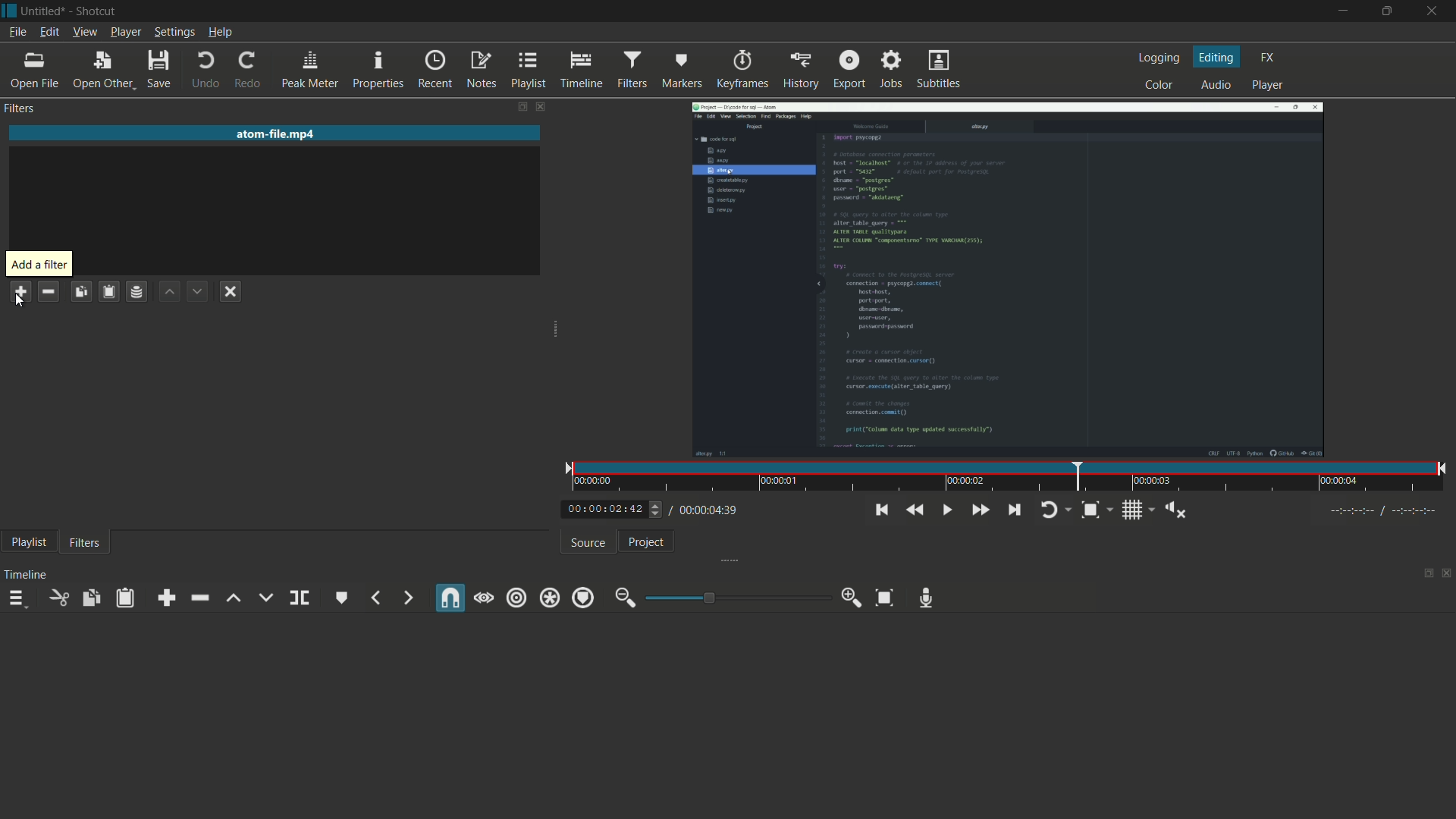 Image resolution: width=1456 pixels, height=819 pixels. What do you see at coordinates (125, 32) in the screenshot?
I see `player menu` at bounding box center [125, 32].